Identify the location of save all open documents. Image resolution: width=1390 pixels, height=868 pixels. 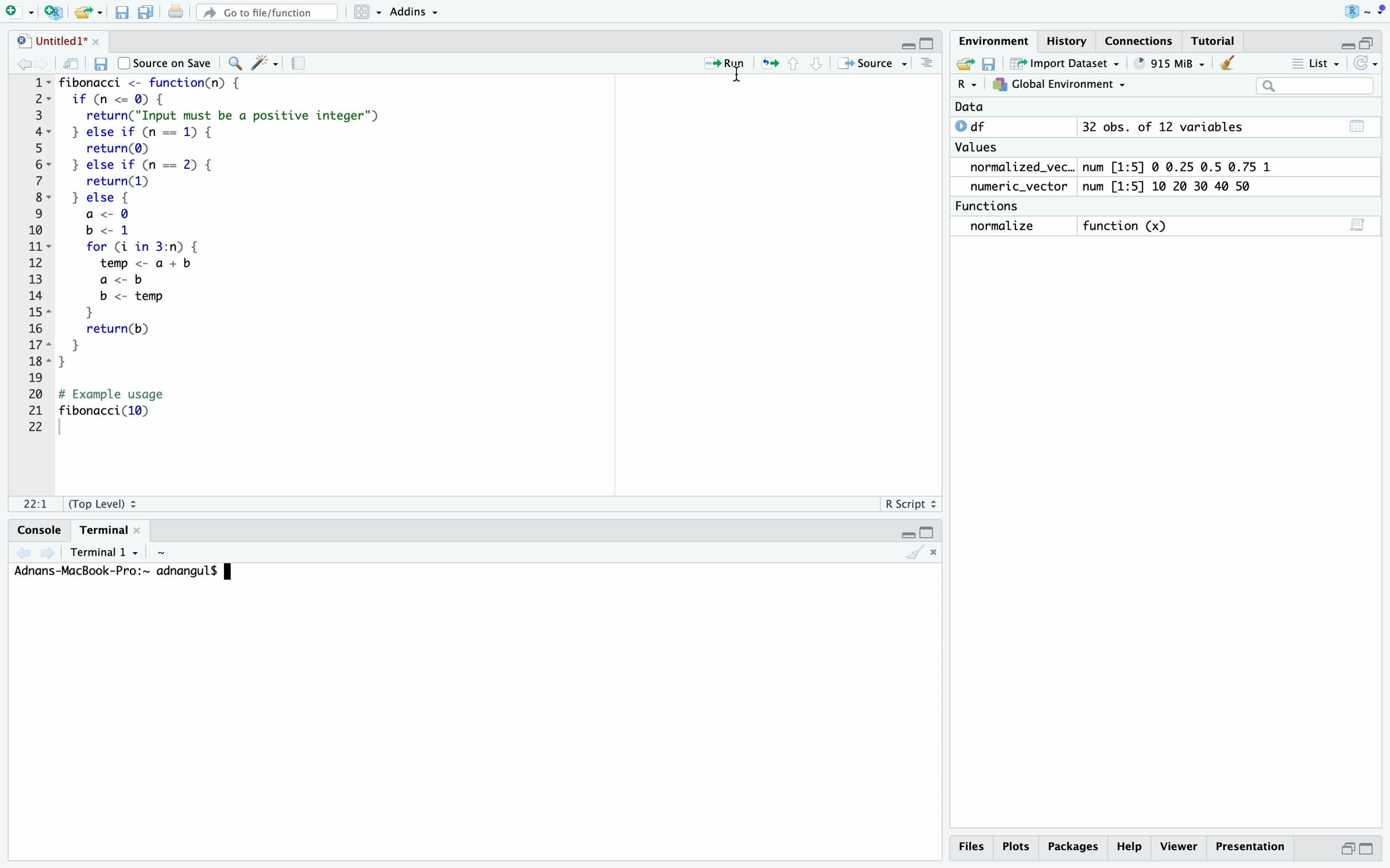
(147, 11).